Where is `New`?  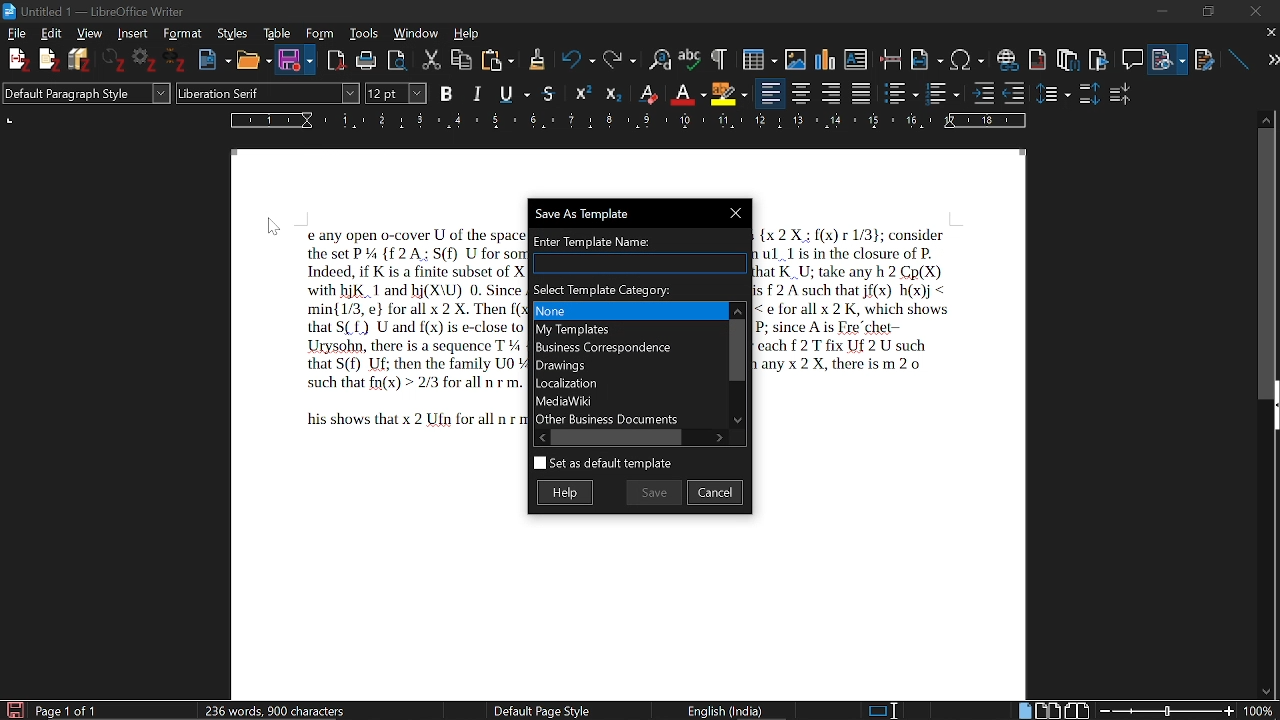 New is located at coordinates (214, 58).